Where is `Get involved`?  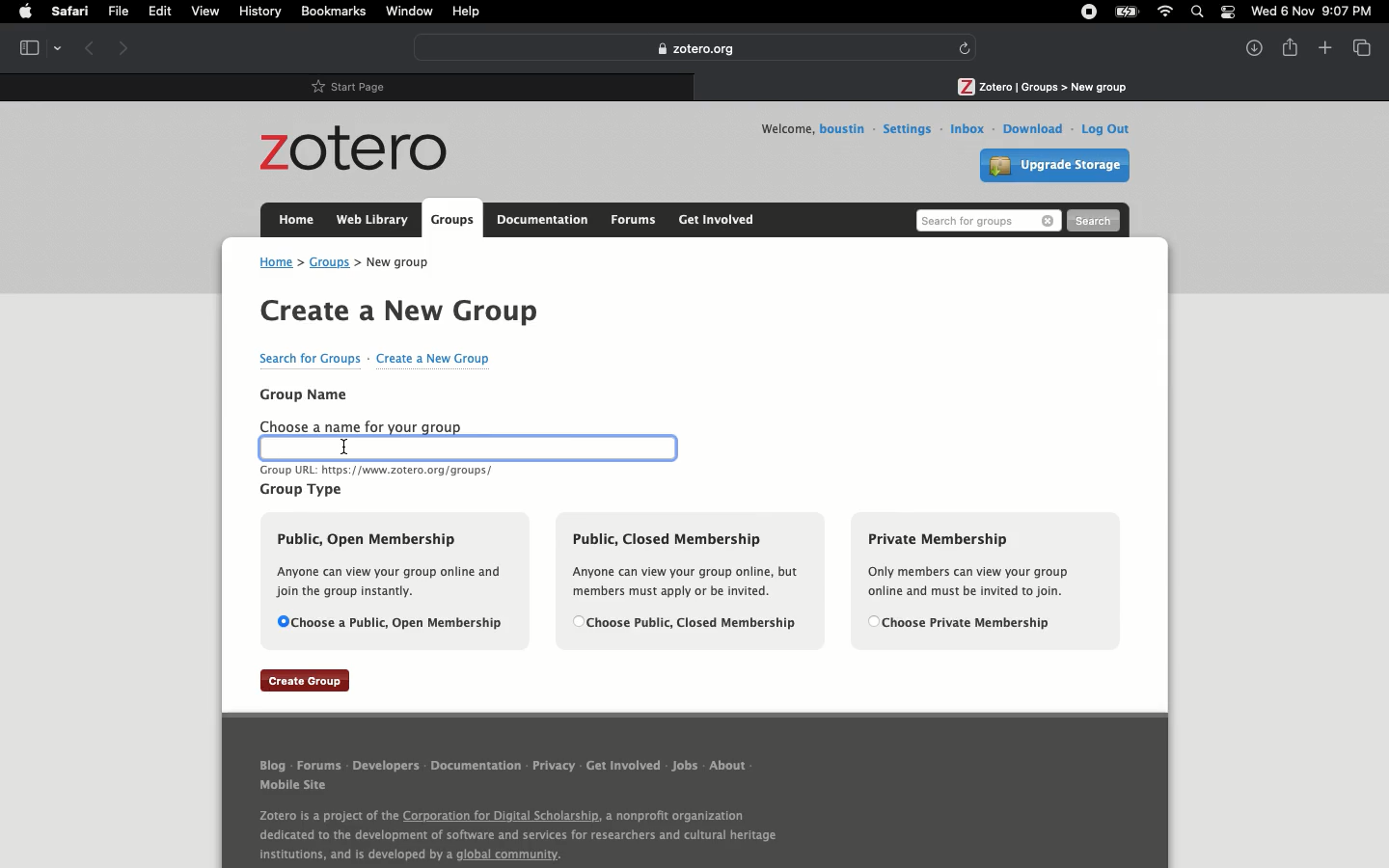
Get involved is located at coordinates (716, 219).